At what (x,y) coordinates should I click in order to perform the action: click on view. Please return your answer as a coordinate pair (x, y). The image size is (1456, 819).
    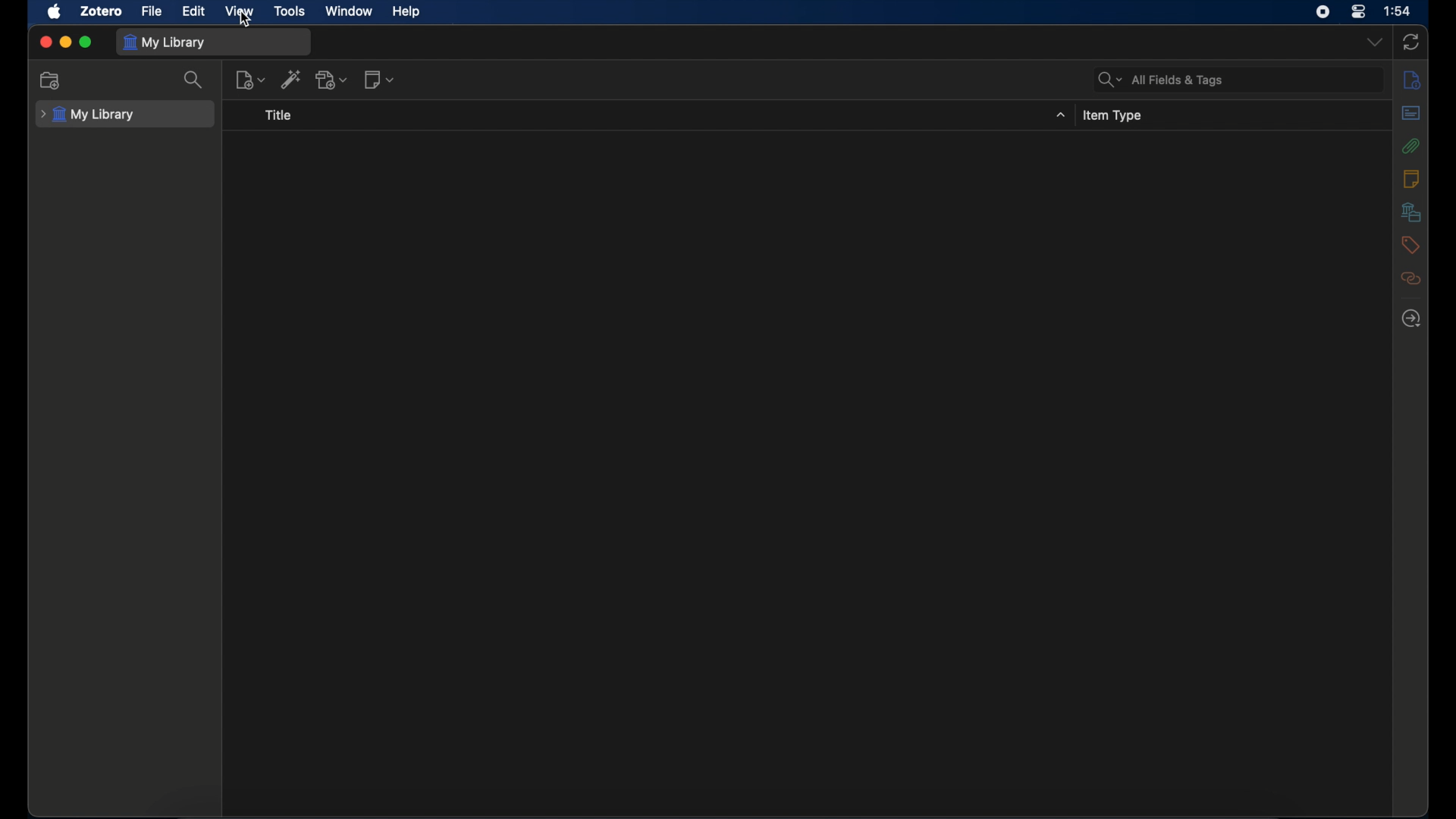
    Looking at the image, I should click on (240, 12).